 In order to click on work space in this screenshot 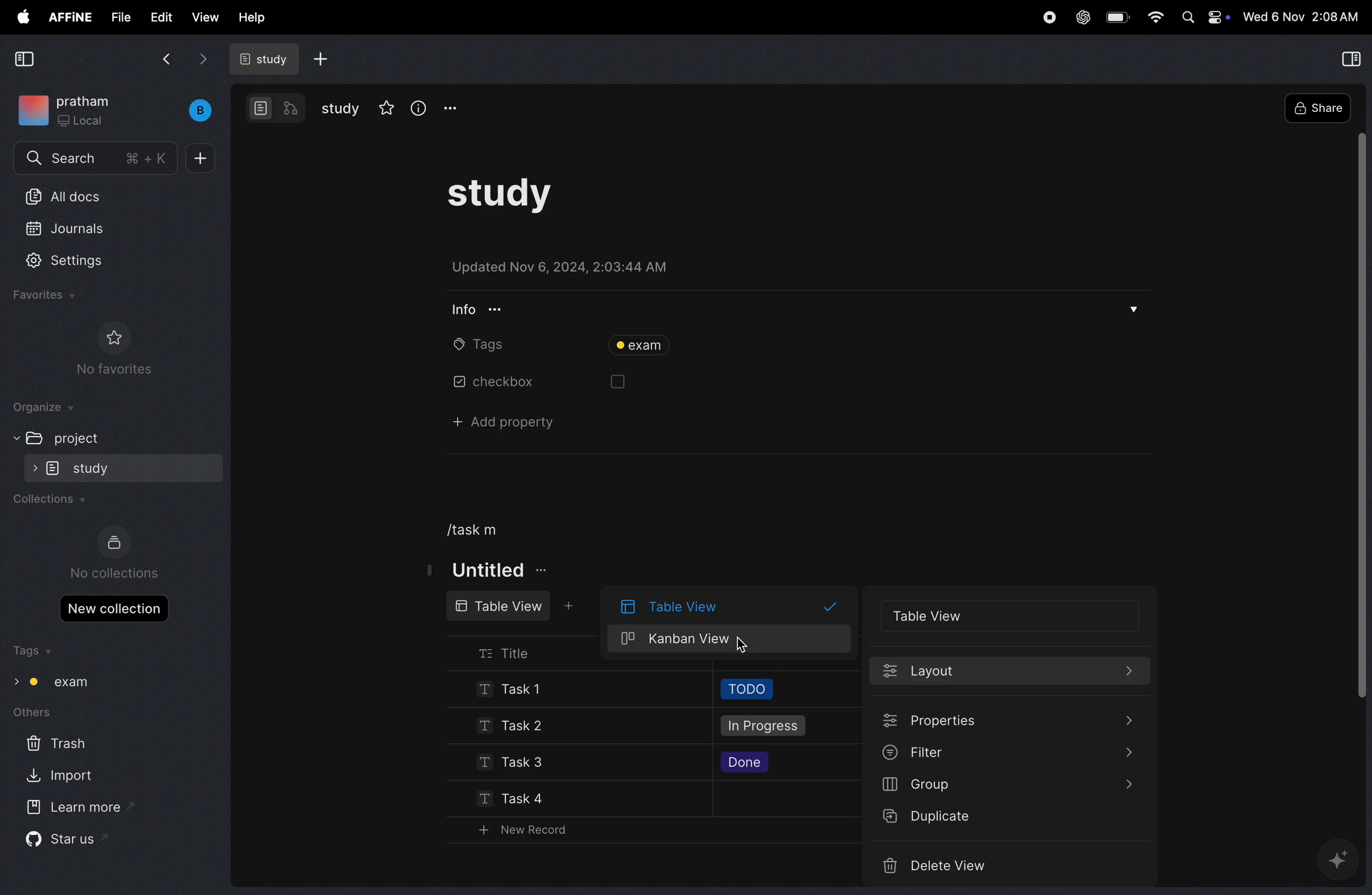, I will do `click(114, 112)`.